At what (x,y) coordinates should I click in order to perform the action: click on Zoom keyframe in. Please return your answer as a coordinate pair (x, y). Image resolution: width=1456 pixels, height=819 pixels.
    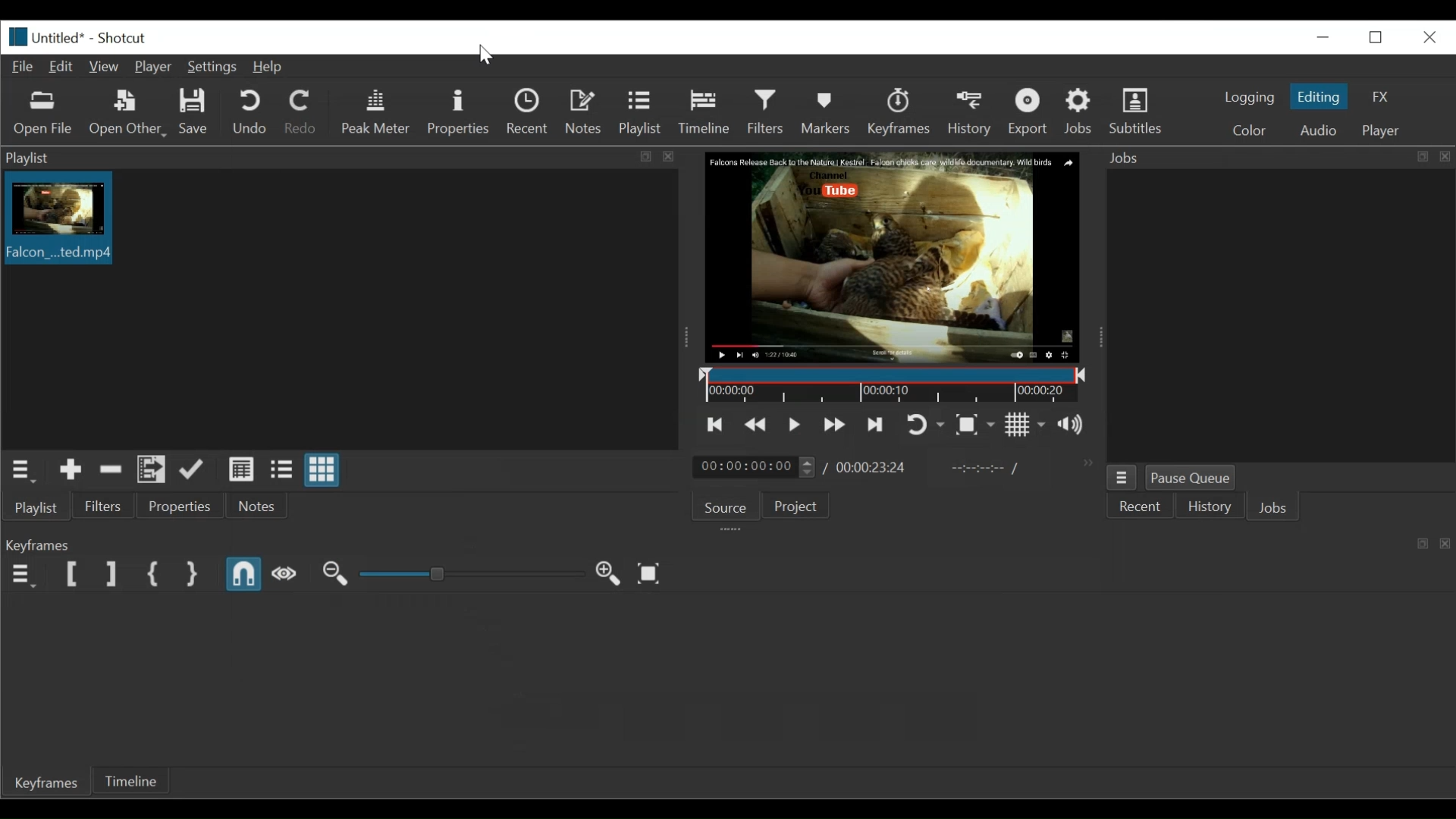
    Looking at the image, I should click on (611, 574).